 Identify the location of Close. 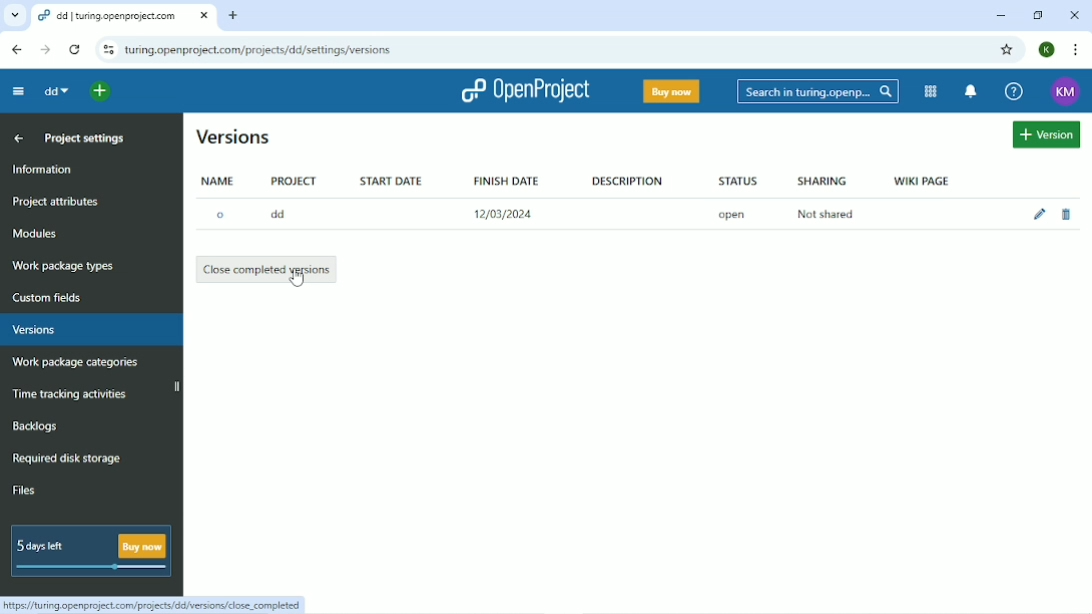
(1076, 15).